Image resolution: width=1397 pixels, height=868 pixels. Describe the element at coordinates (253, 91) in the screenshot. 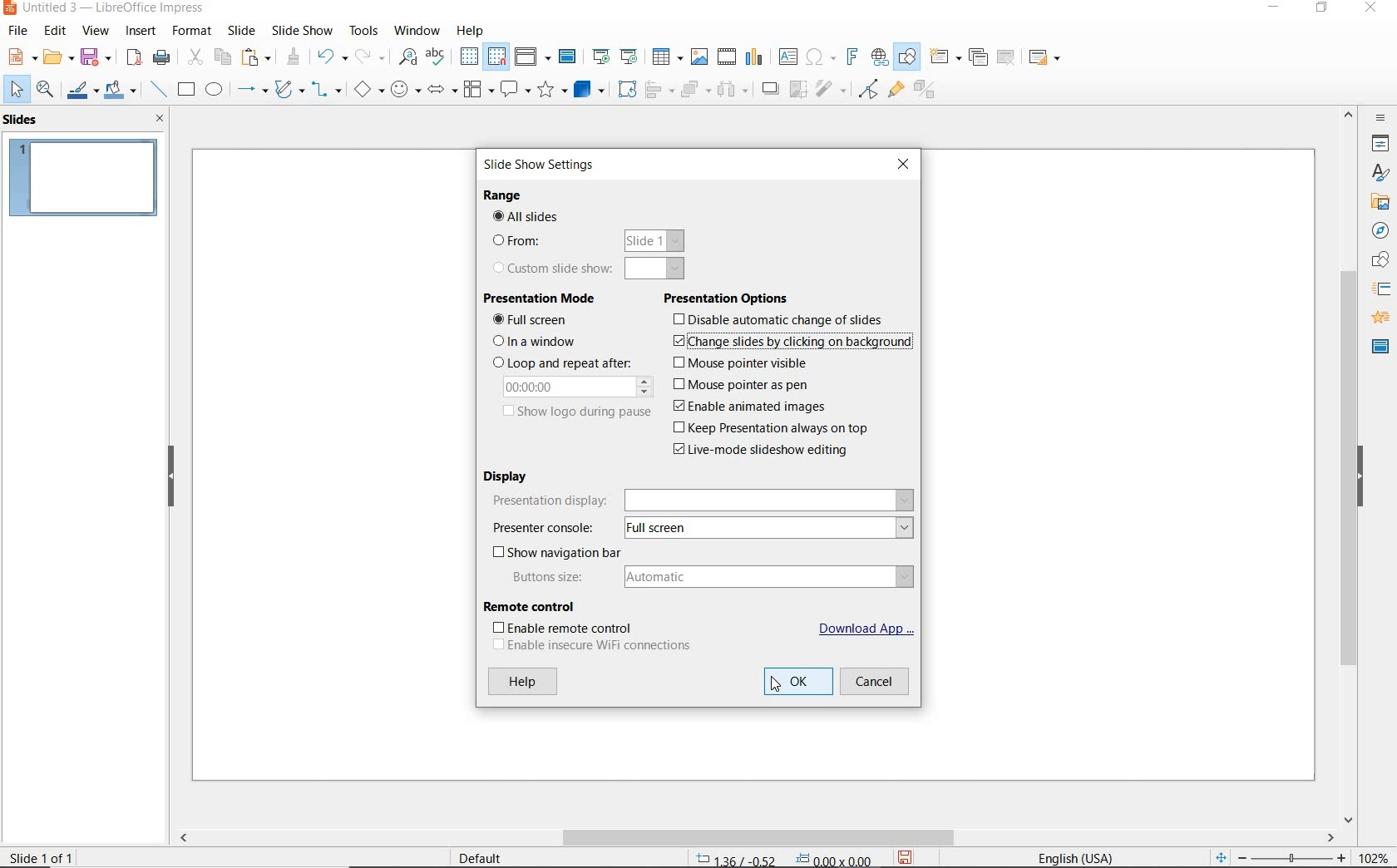

I see `LINES AND ARROWS` at that location.